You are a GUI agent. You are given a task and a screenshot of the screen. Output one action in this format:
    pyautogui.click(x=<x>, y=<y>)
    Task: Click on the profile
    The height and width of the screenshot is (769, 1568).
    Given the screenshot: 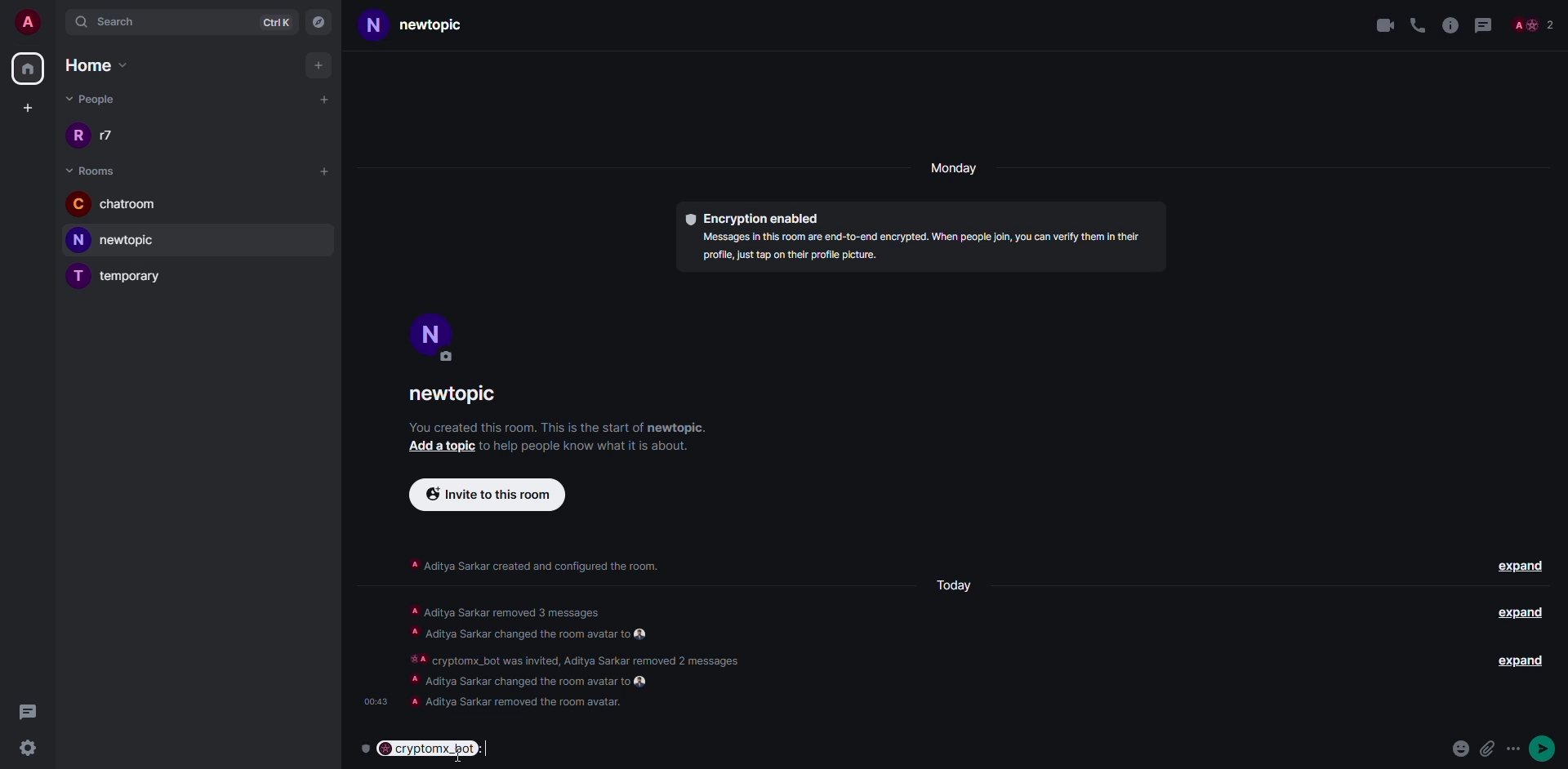 What is the action you would take?
    pyautogui.click(x=432, y=336)
    